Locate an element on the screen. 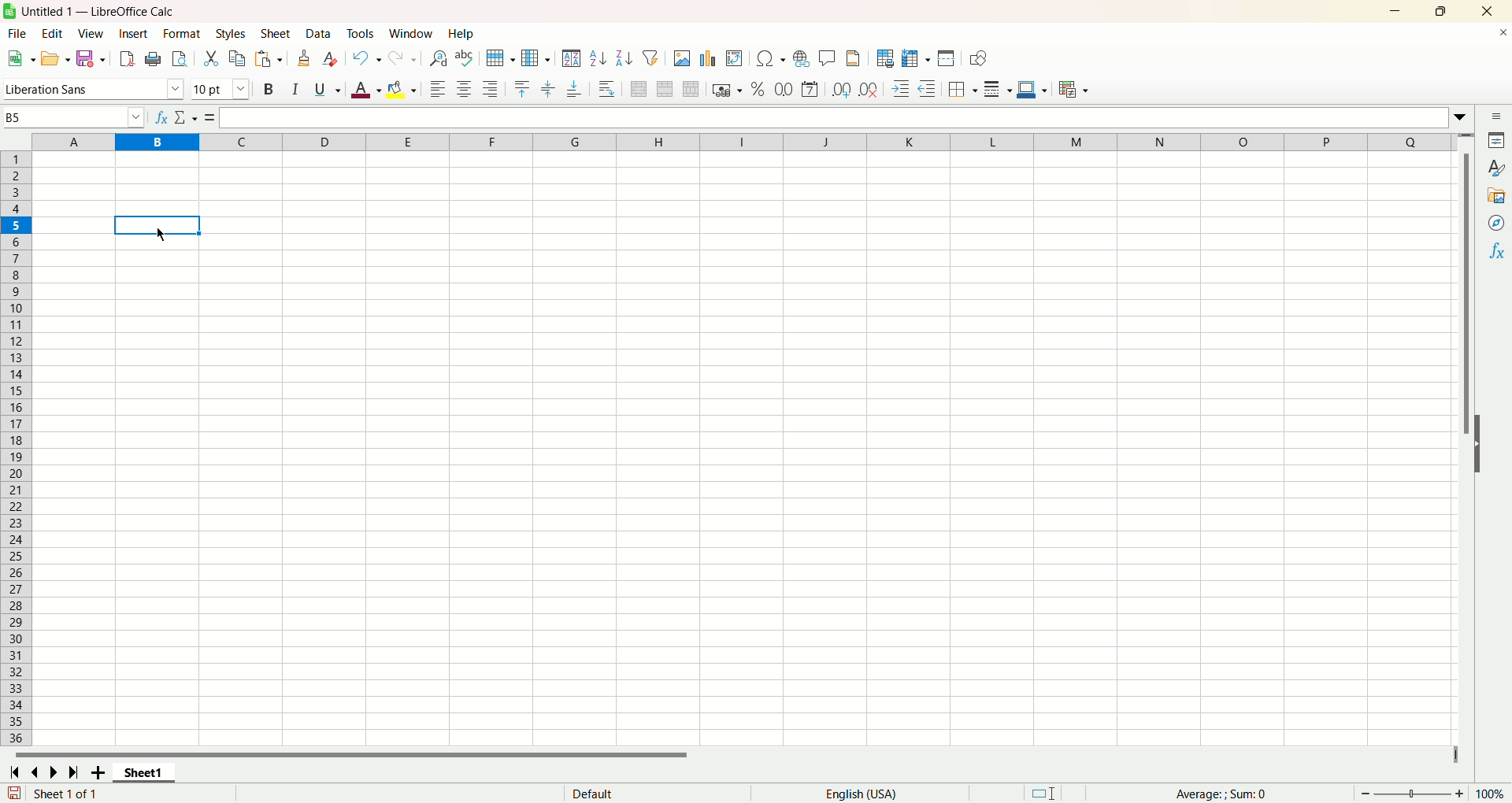 This screenshot has width=1512, height=803. Liberation Sans is located at coordinates (94, 91).